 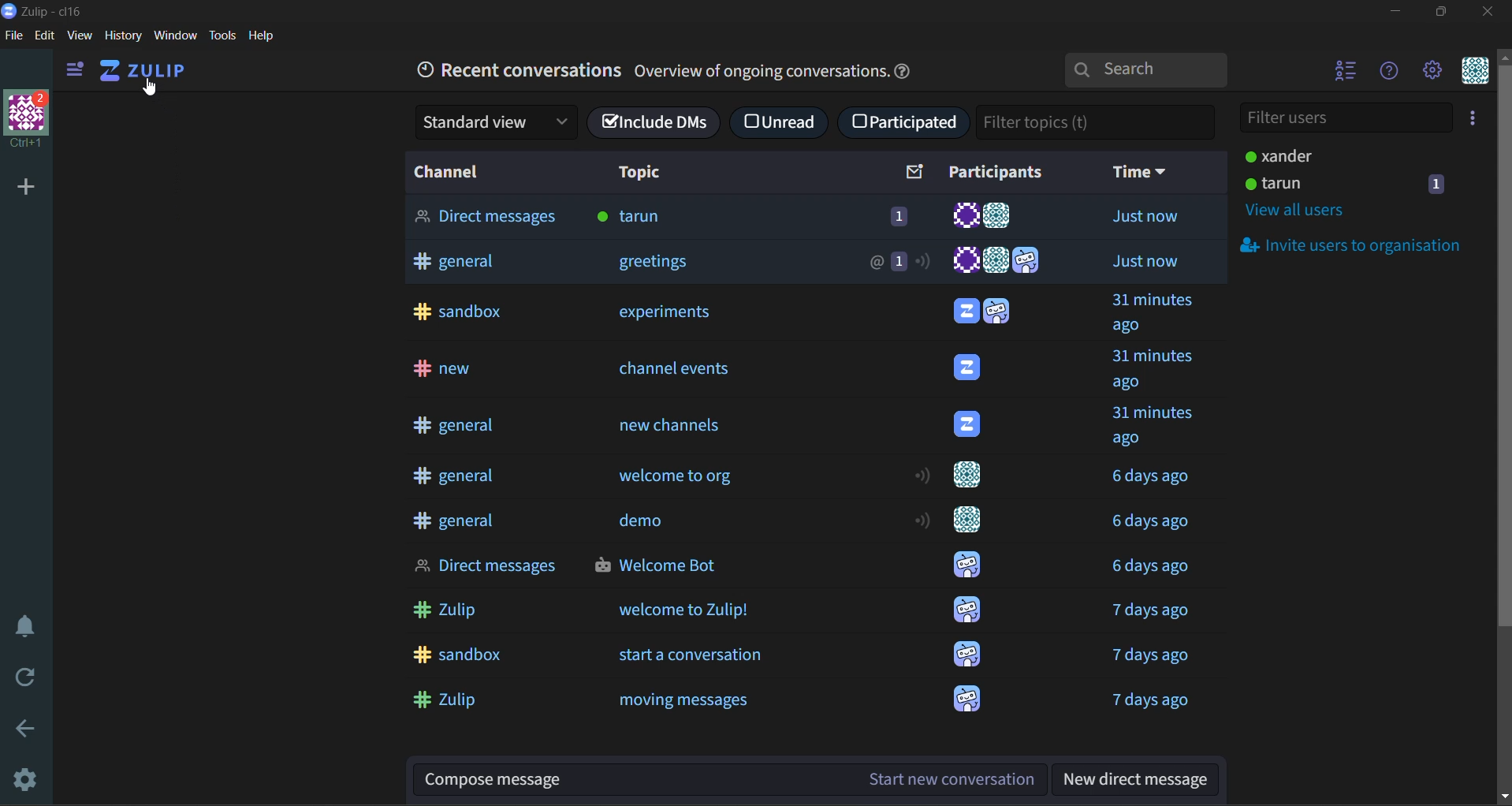 What do you see at coordinates (14, 36) in the screenshot?
I see `file` at bounding box center [14, 36].